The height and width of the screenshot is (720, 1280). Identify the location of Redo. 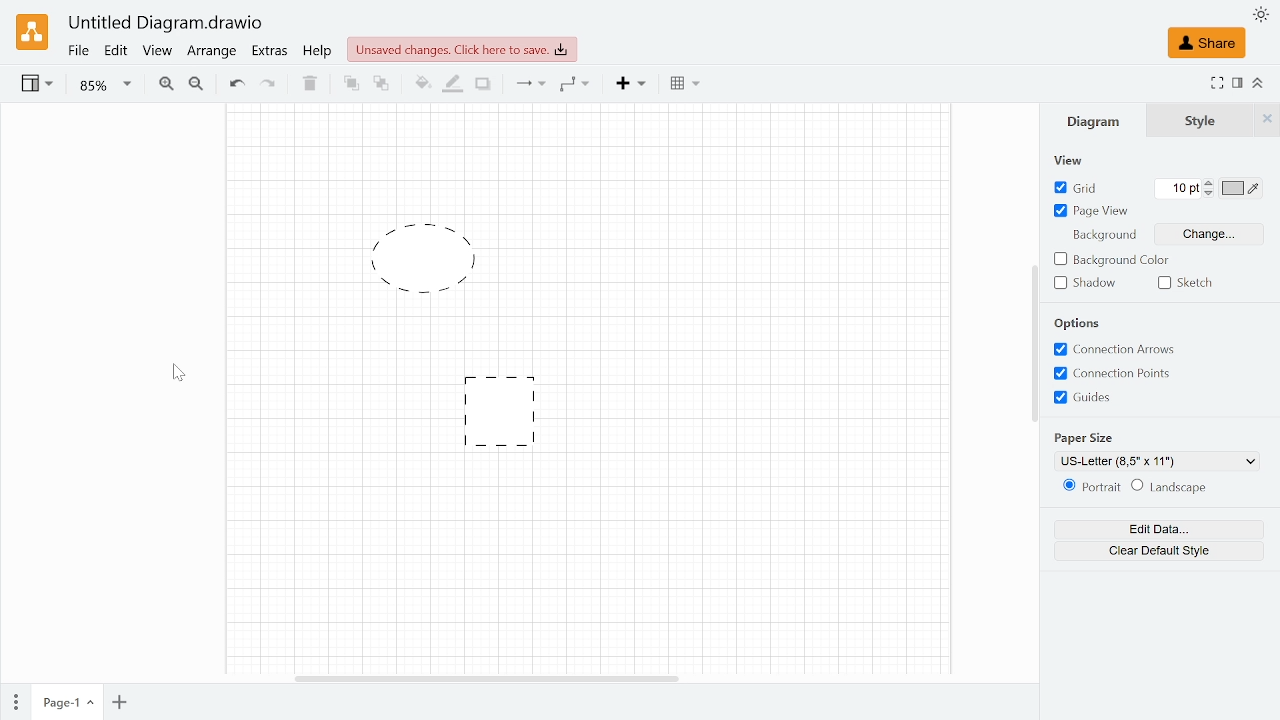
(268, 85).